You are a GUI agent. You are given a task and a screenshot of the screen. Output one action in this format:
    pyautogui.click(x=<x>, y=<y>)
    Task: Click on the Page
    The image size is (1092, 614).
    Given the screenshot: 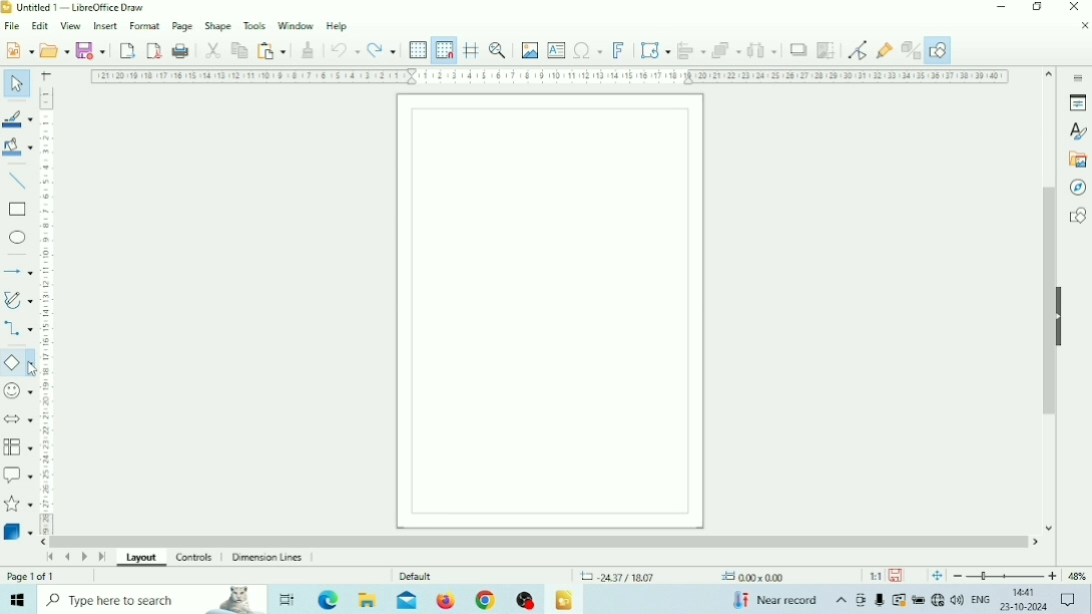 What is the action you would take?
    pyautogui.click(x=183, y=25)
    